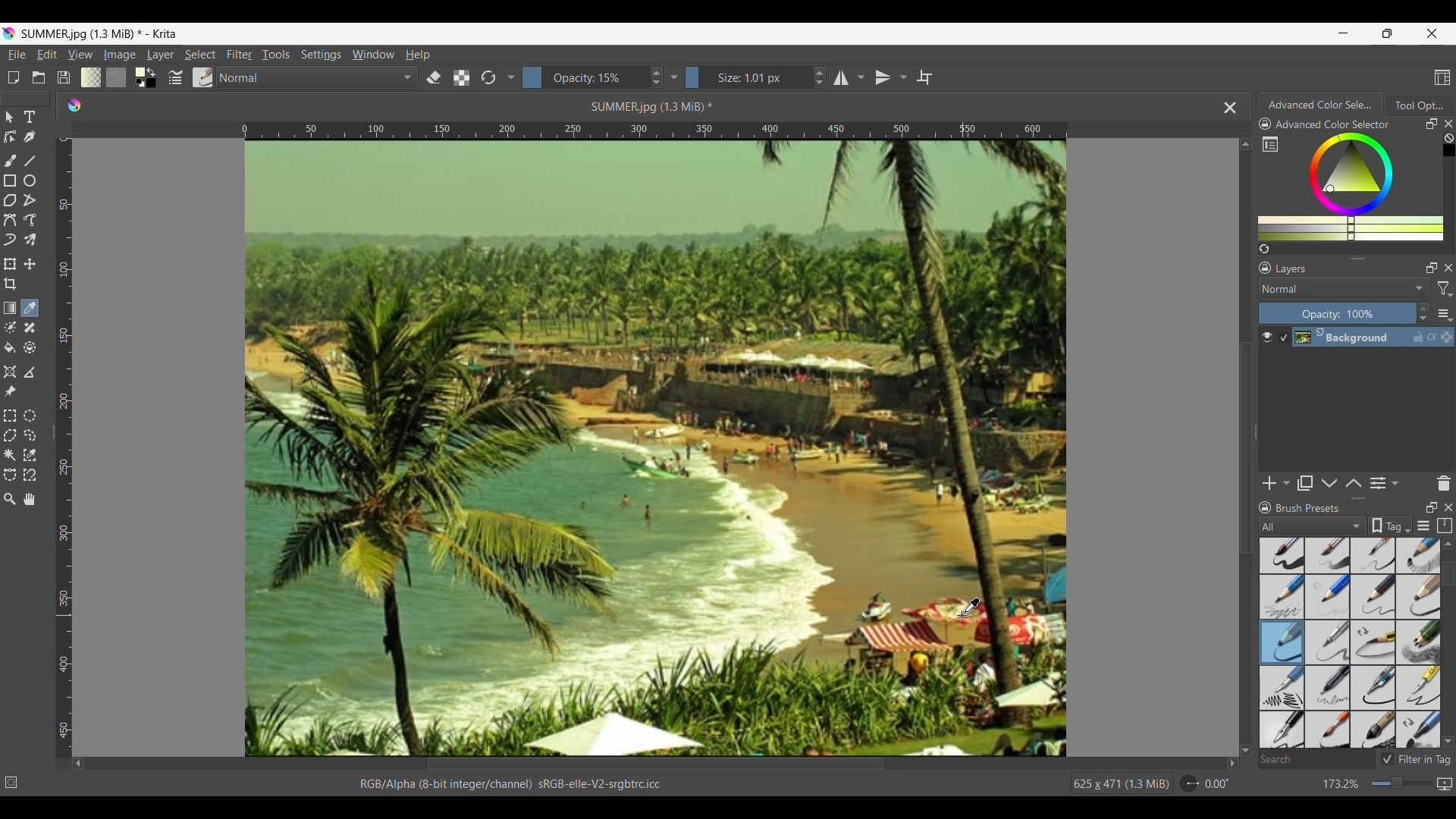 The height and width of the screenshot is (819, 1456). What do you see at coordinates (654, 130) in the screenshot?
I see `Horizontal scale` at bounding box center [654, 130].